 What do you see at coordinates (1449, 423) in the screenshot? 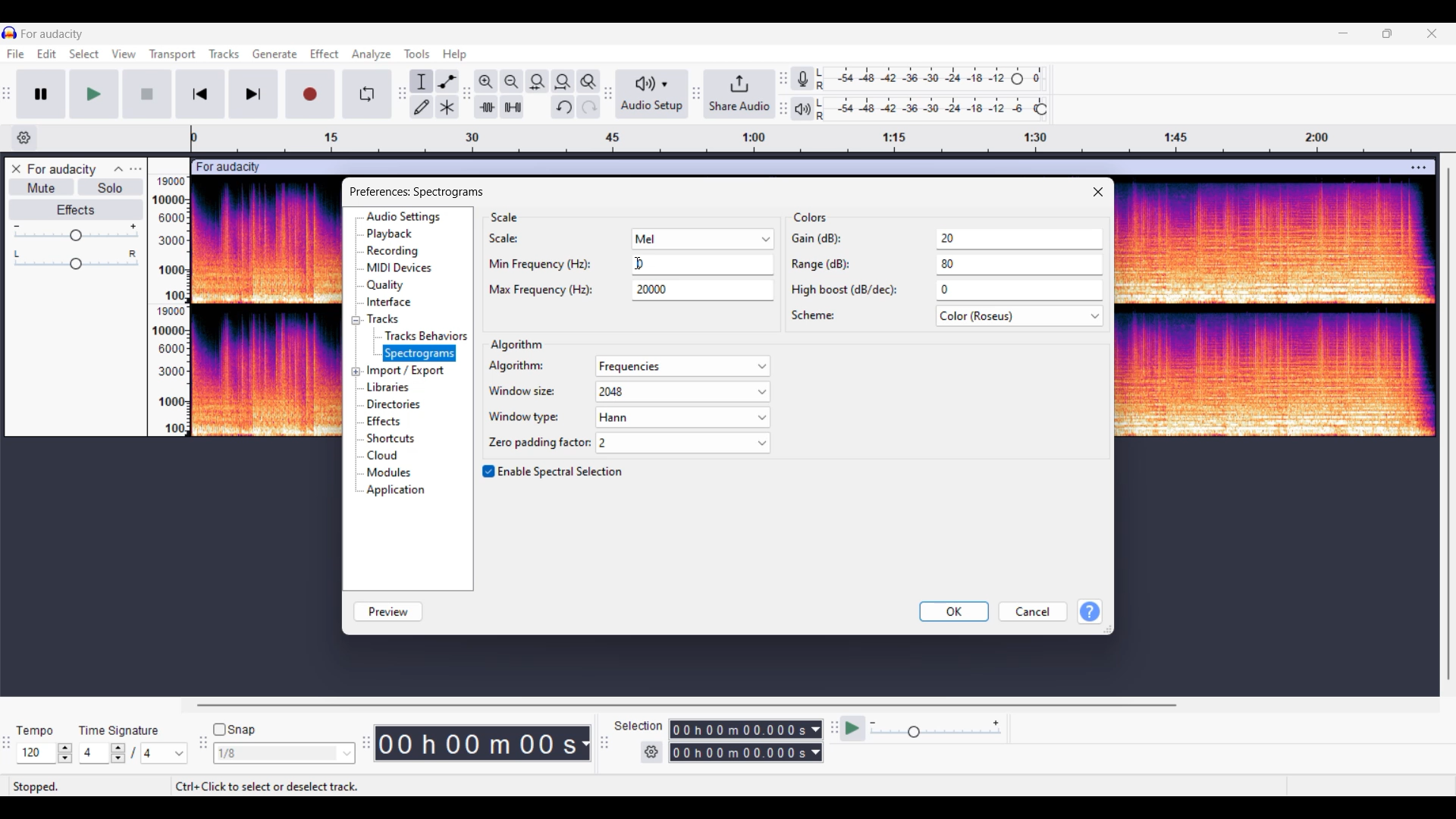
I see `Vertical slide bar` at bounding box center [1449, 423].